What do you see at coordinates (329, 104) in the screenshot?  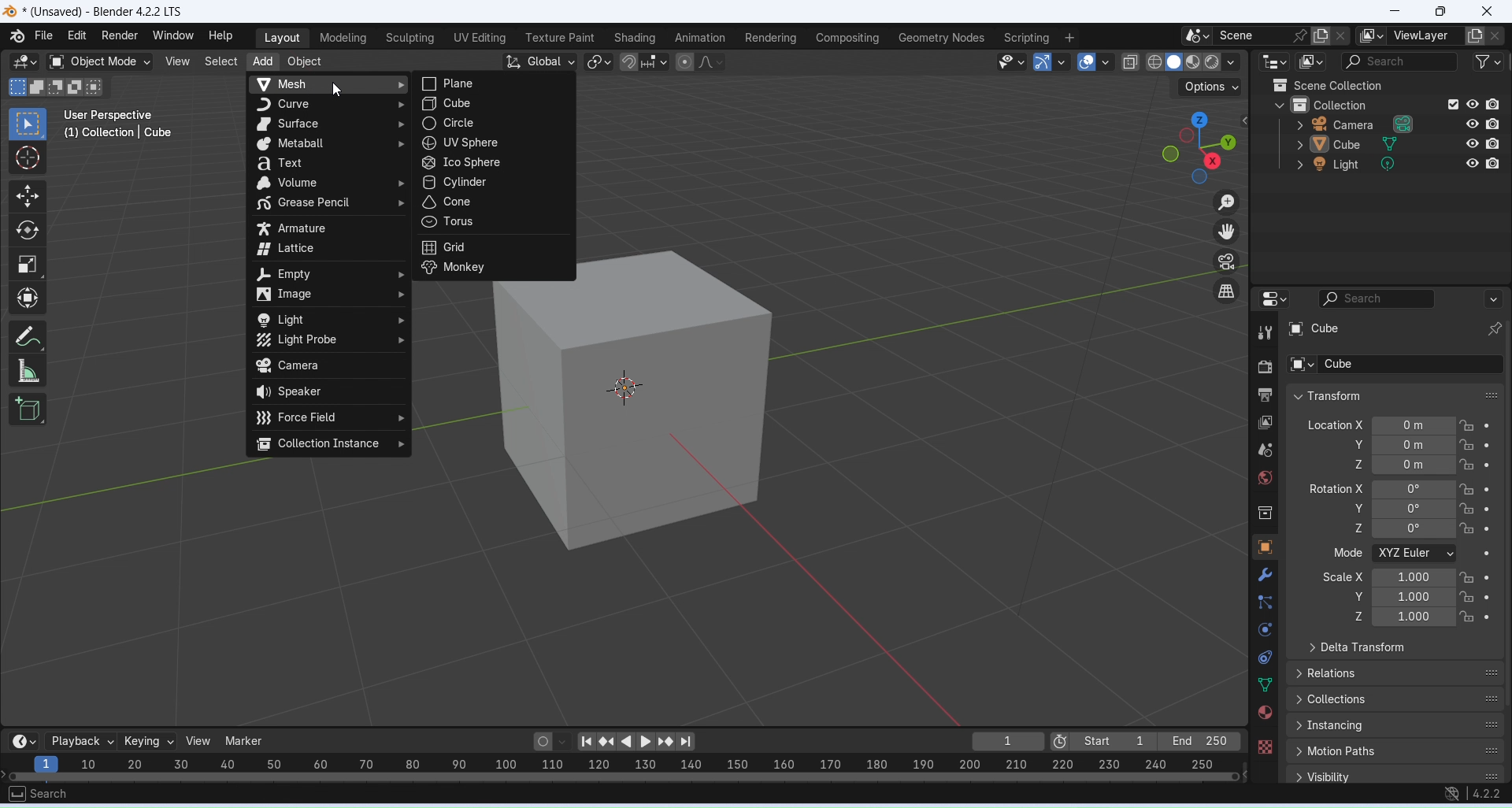 I see `curve` at bounding box center [329, 104].